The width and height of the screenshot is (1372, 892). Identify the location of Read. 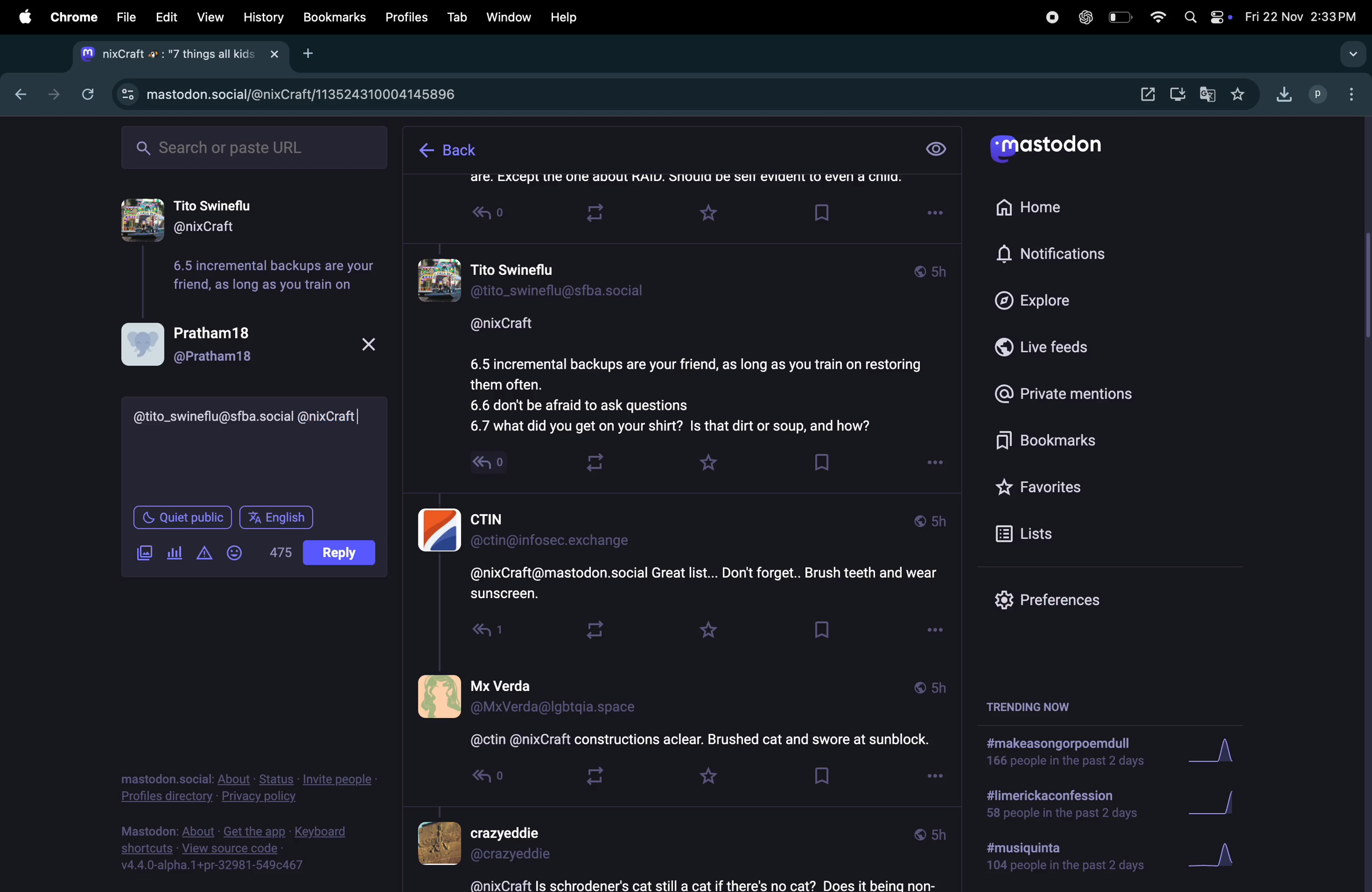
(492, 216).